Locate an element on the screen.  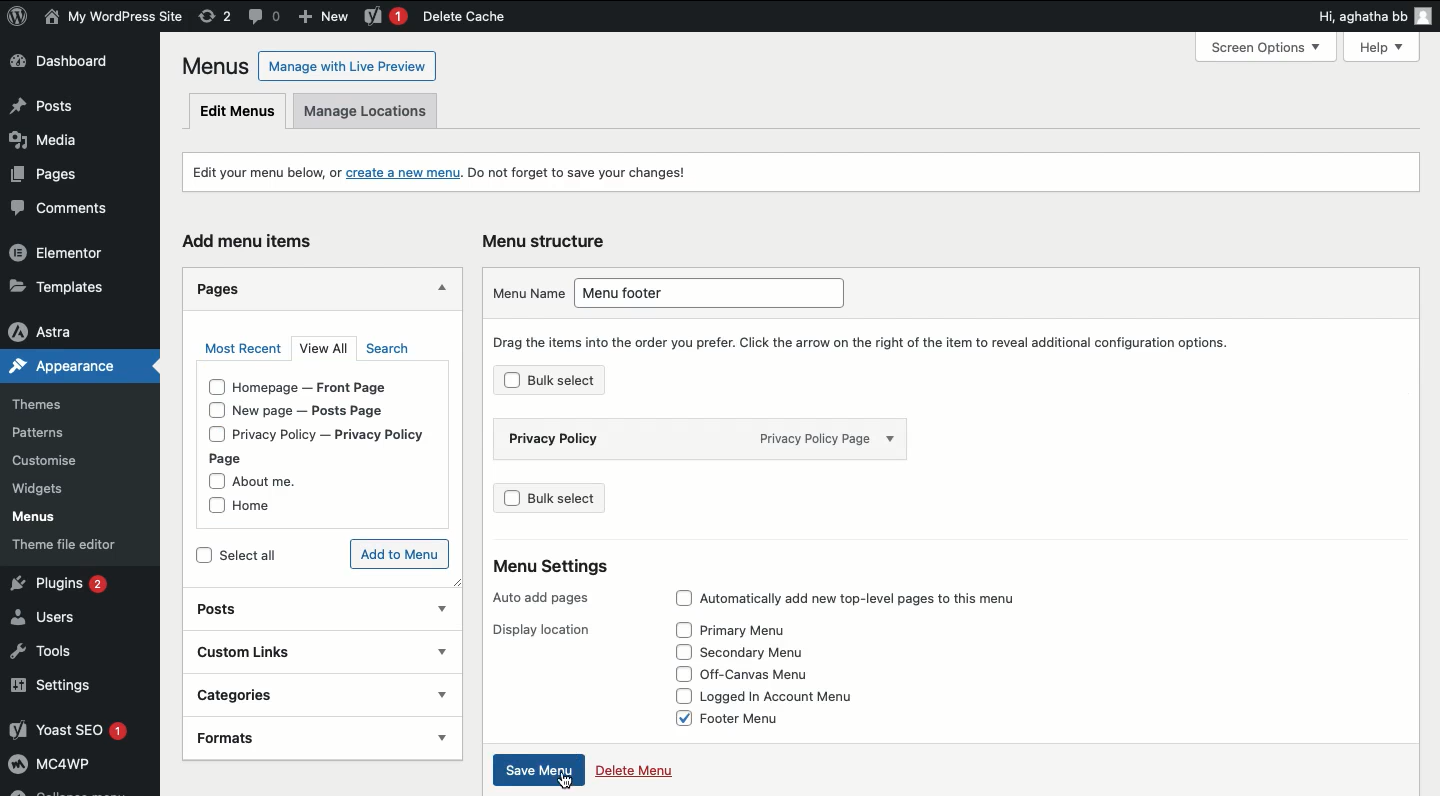
Check box is located at coordinates (677, 722).